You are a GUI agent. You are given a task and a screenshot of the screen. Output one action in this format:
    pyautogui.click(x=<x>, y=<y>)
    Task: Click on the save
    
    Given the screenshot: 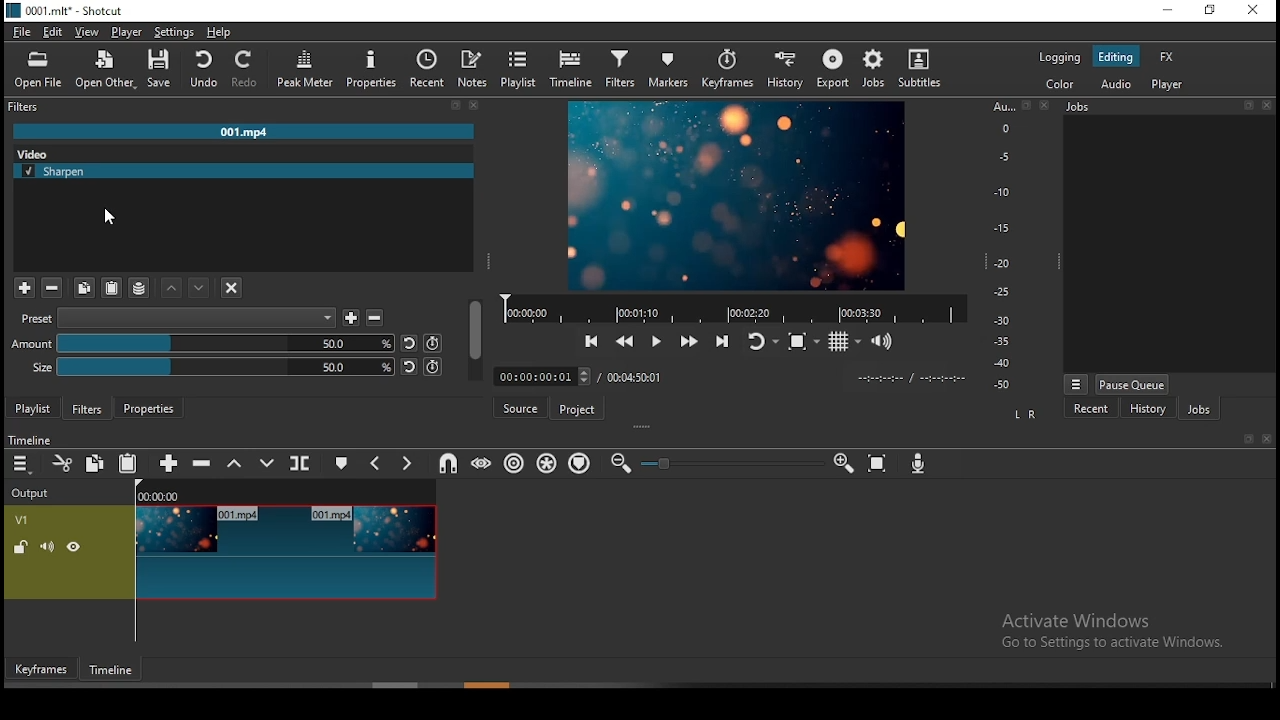 What is the action you would take?
    pyautogui.click(x=165, y=72)
    